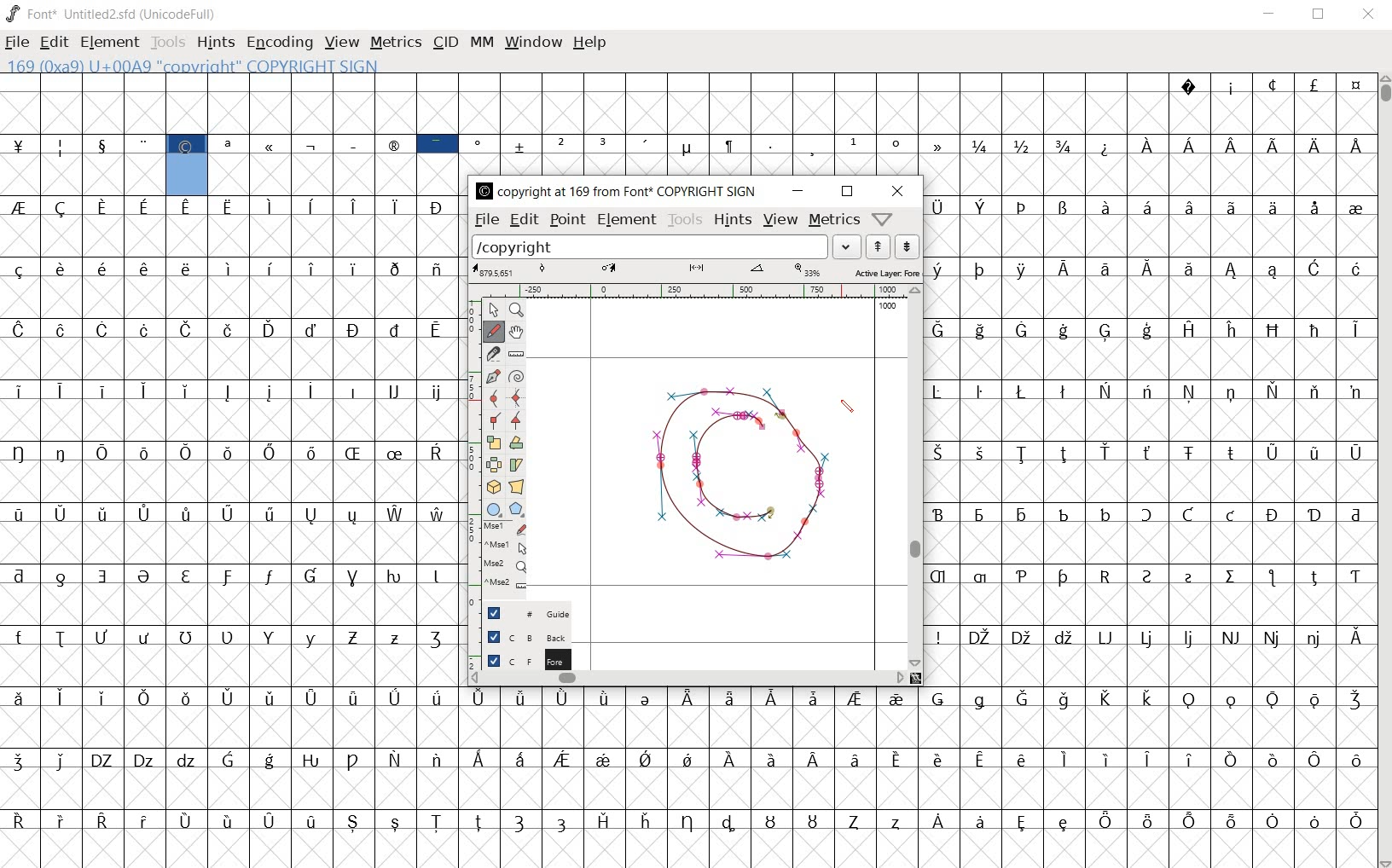 This screenshot has height=868, width=1392. I want to click on view, so click(781, 222).